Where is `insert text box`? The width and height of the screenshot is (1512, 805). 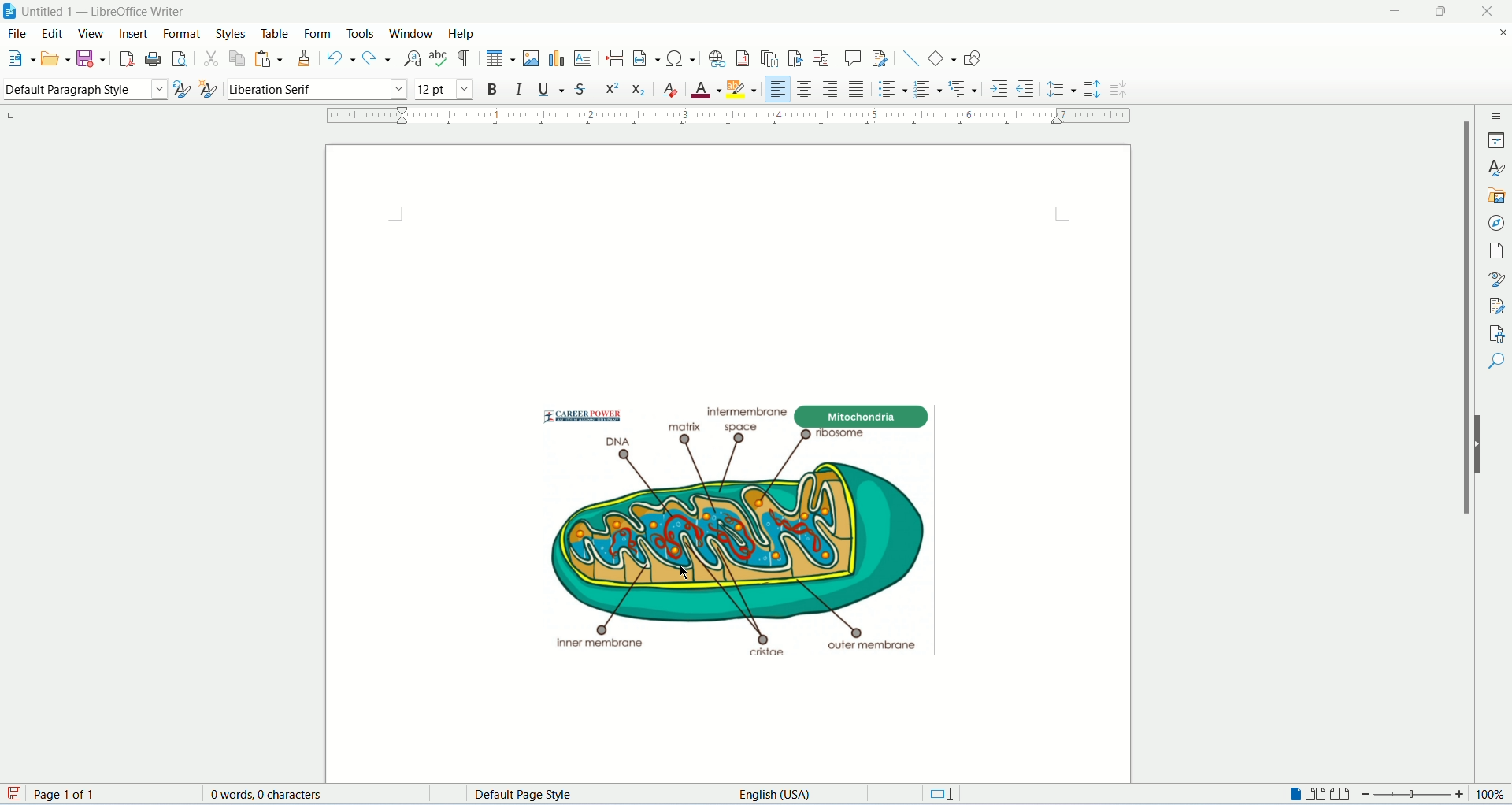 insert text box is located at coordinates (583, 57).